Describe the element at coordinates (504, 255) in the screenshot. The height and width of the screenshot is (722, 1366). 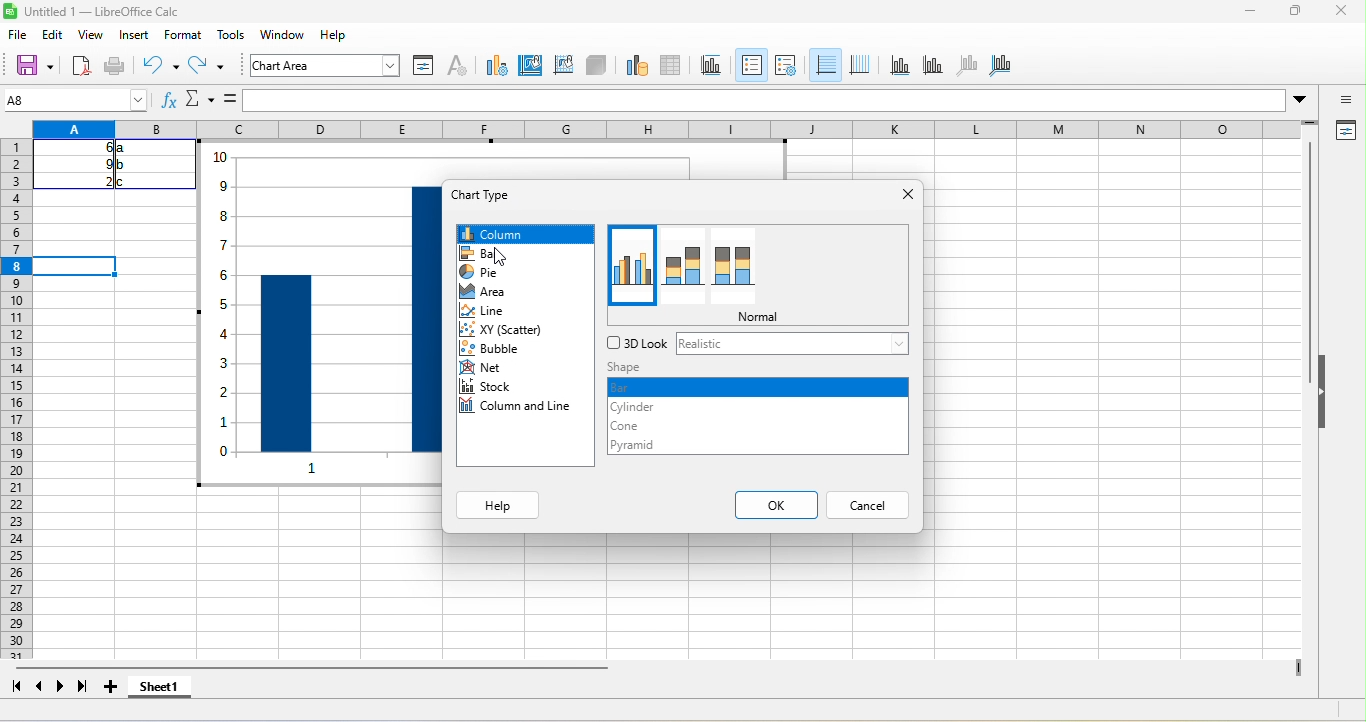
I see `bar` at that location.